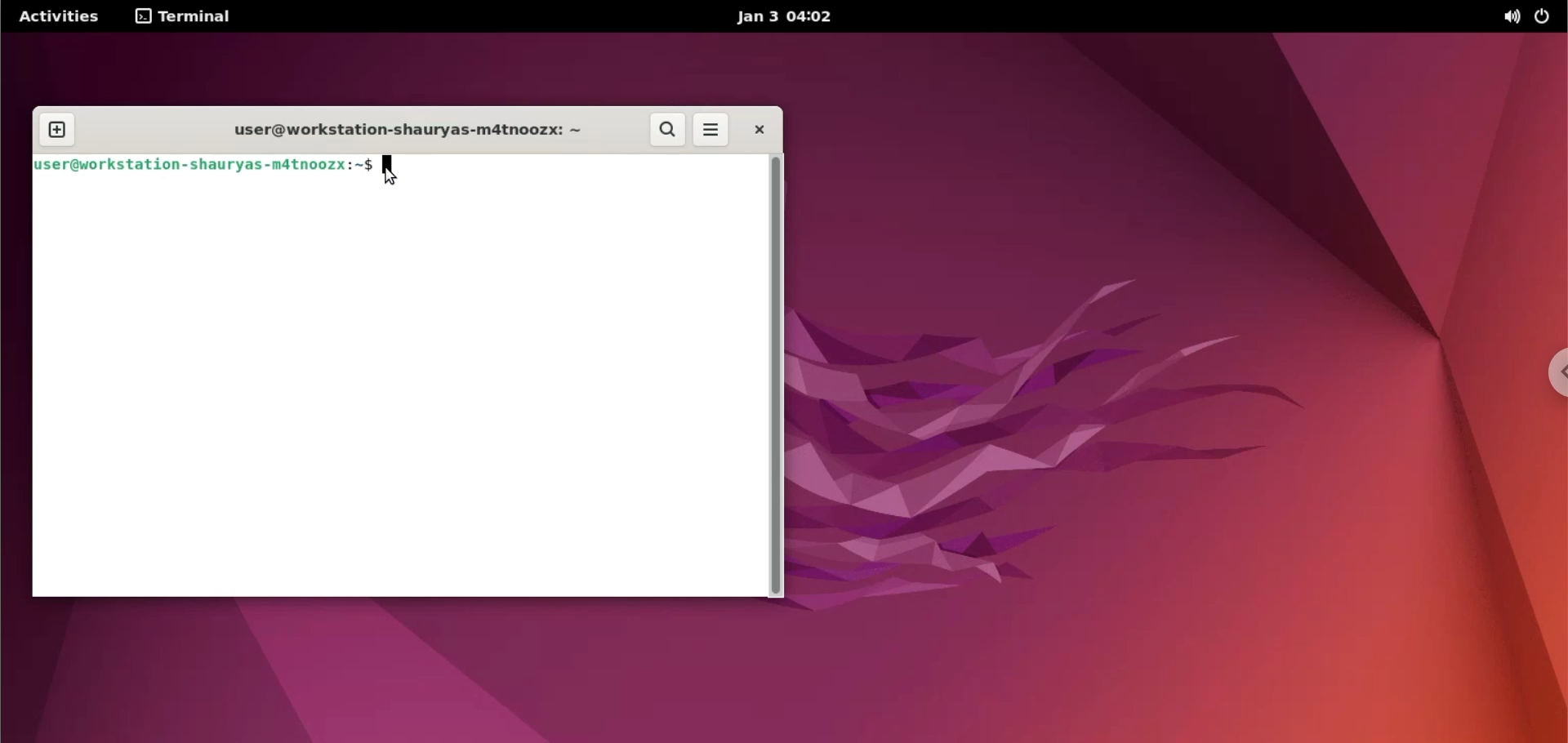  I want to click on sound options, so click(1512, 16).